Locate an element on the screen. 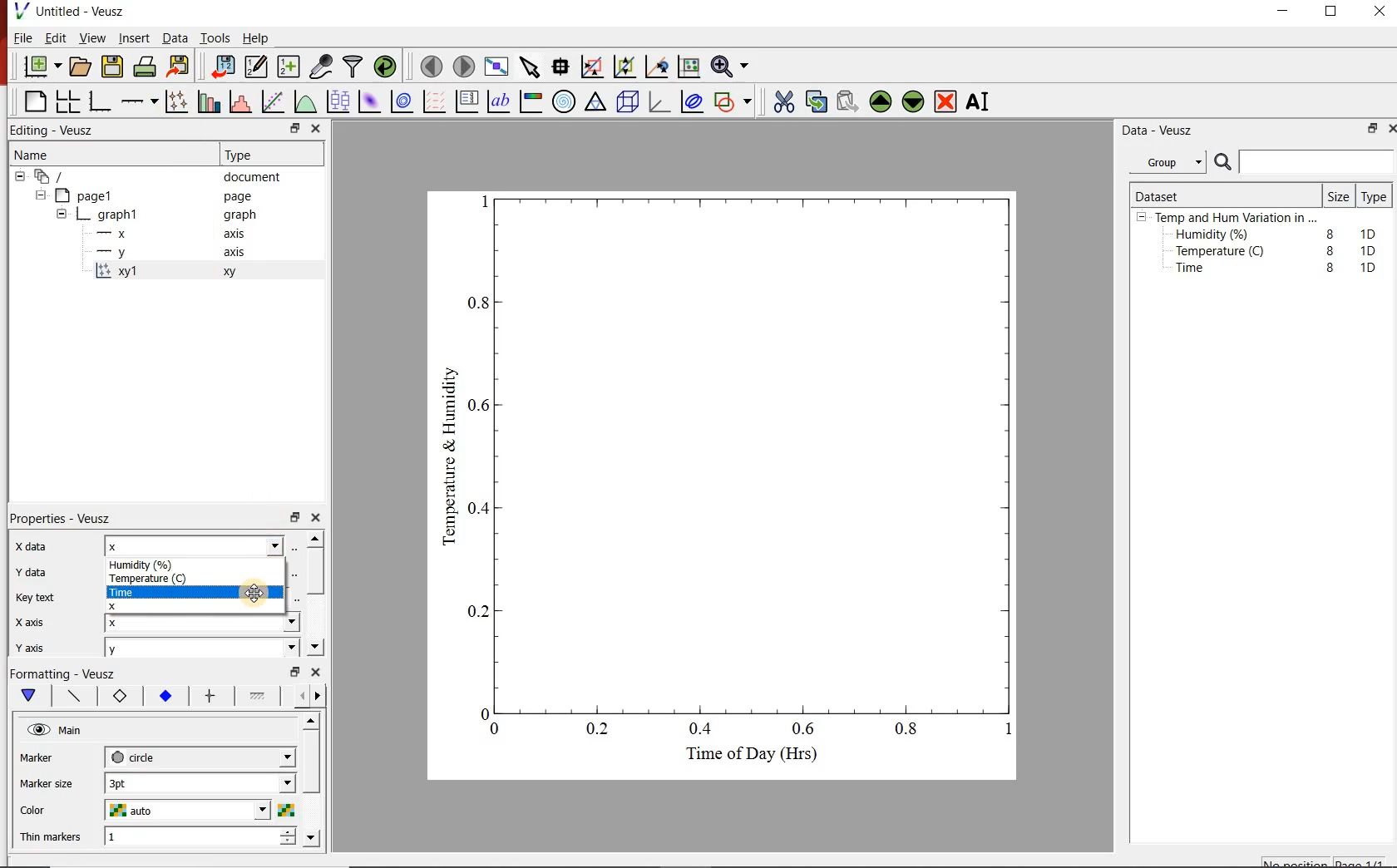 The image size is (1397, 868). Name is located at coordinates (47, 156).